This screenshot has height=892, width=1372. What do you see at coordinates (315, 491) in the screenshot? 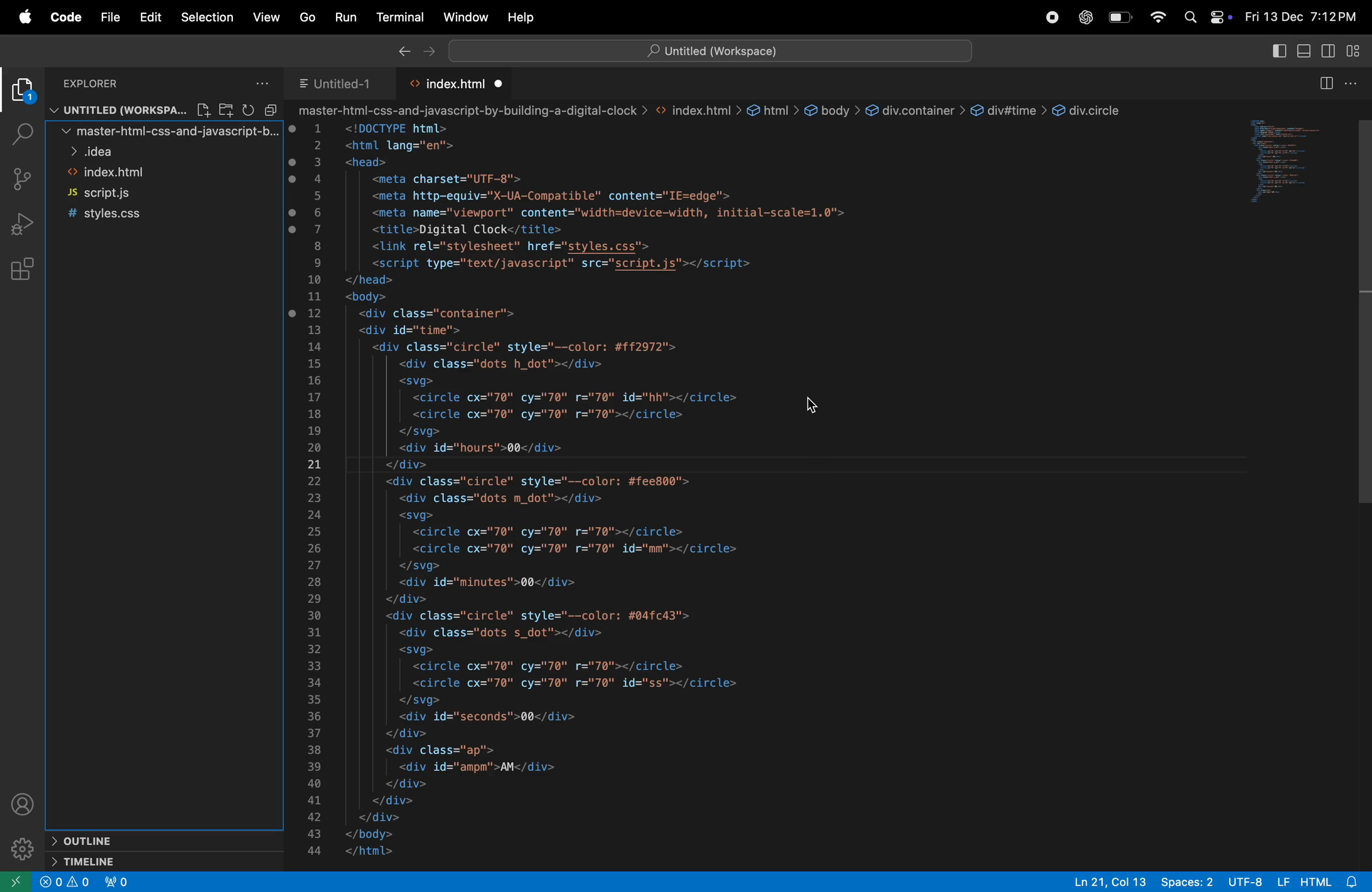
I see `Line Number` at bounding box center [315, 491].